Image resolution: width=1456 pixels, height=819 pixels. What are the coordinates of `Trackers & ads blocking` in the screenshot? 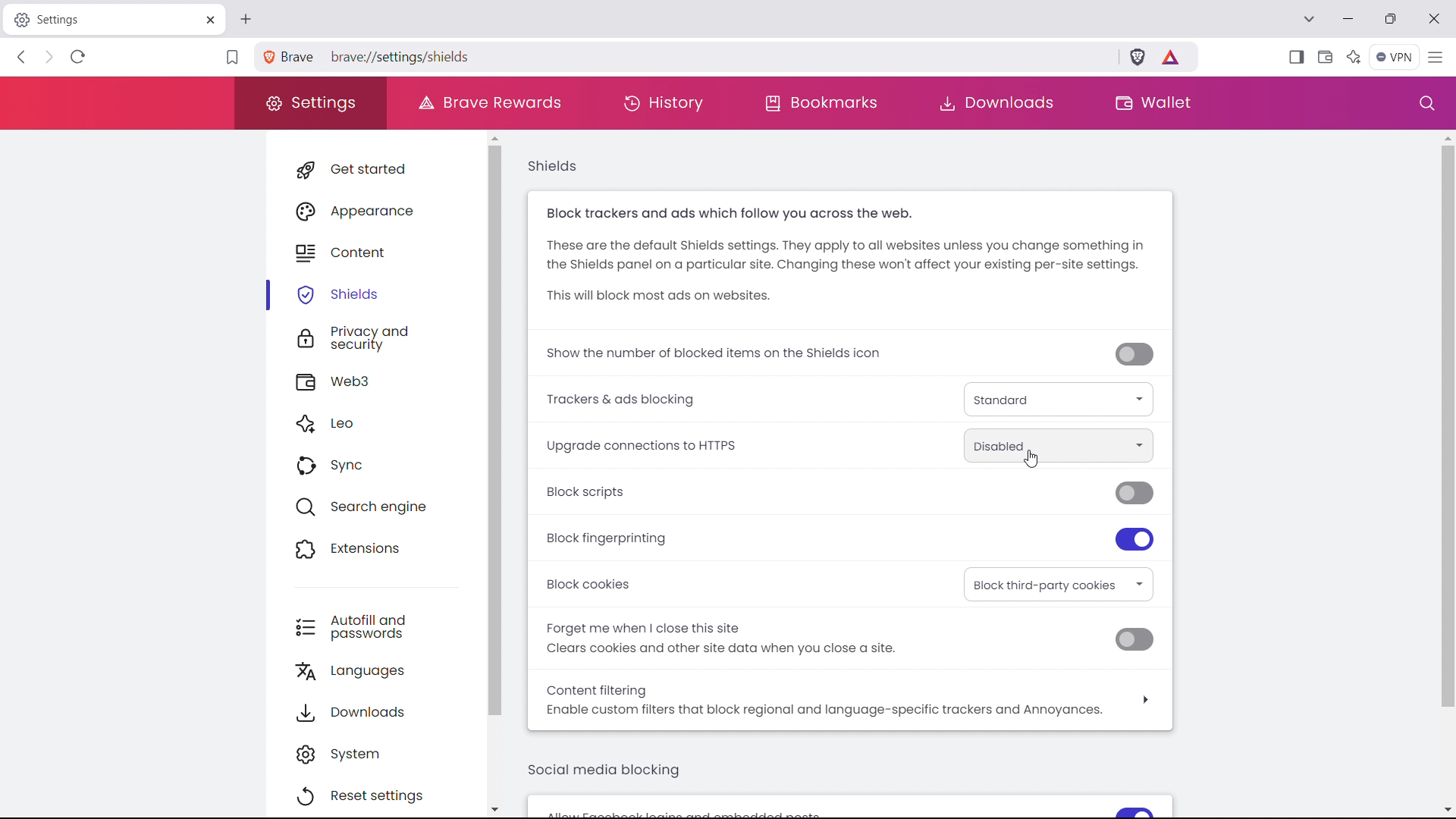 It's located at (645, 399).